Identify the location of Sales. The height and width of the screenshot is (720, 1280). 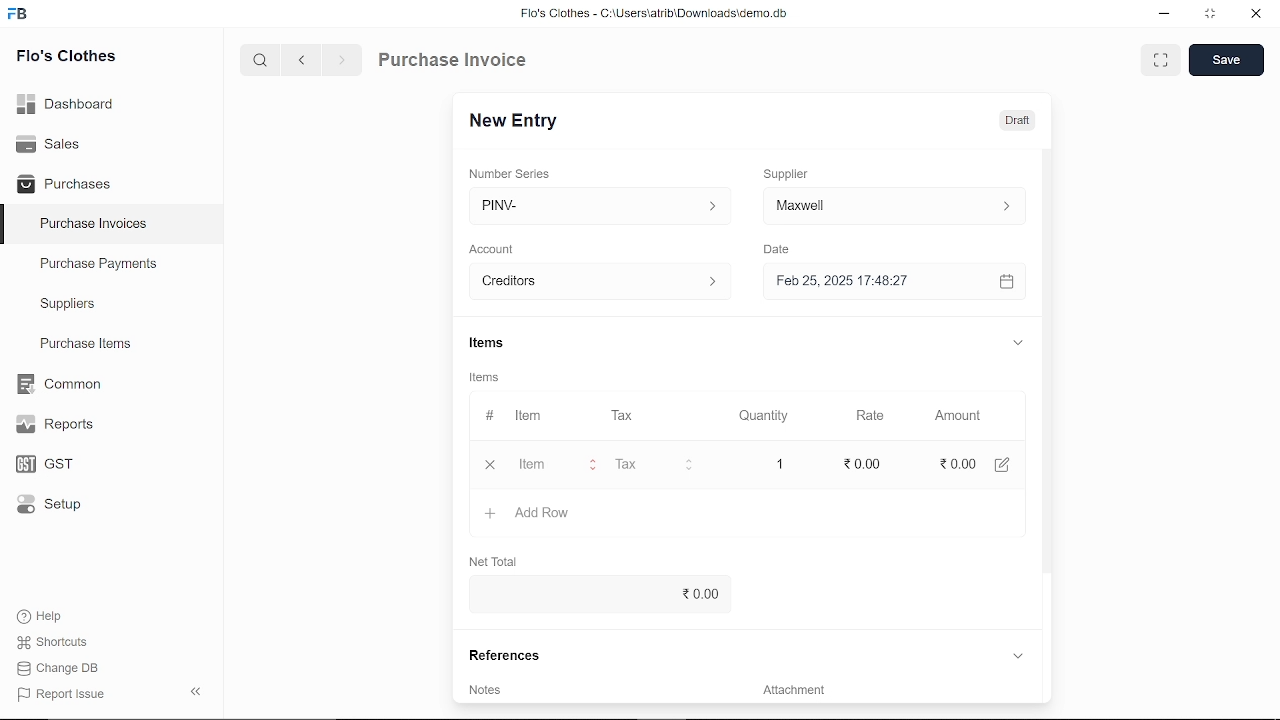
(48, 142).